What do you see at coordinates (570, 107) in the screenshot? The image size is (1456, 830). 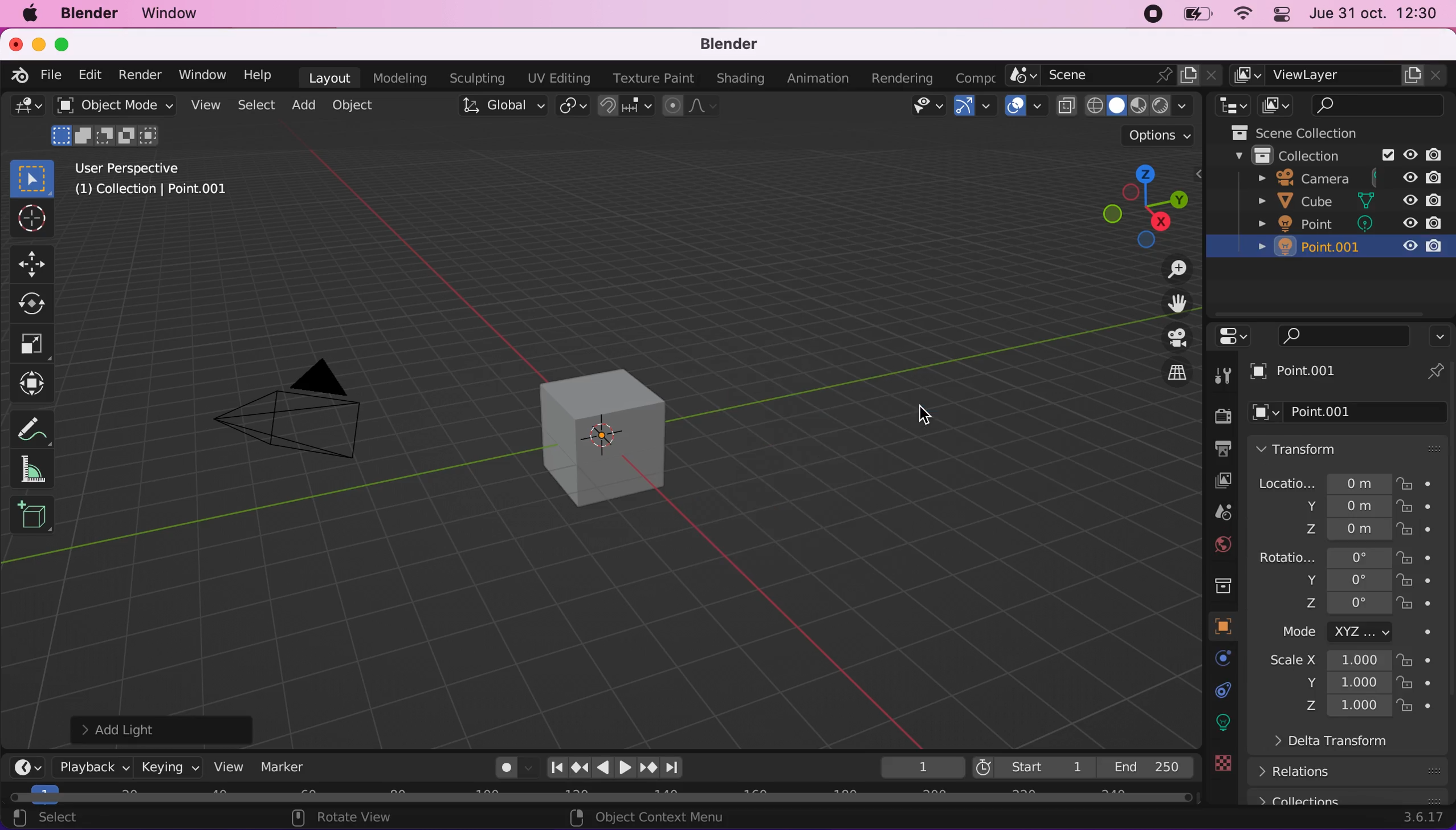 I see `transform pivot points` at bounding box center [570, 107].